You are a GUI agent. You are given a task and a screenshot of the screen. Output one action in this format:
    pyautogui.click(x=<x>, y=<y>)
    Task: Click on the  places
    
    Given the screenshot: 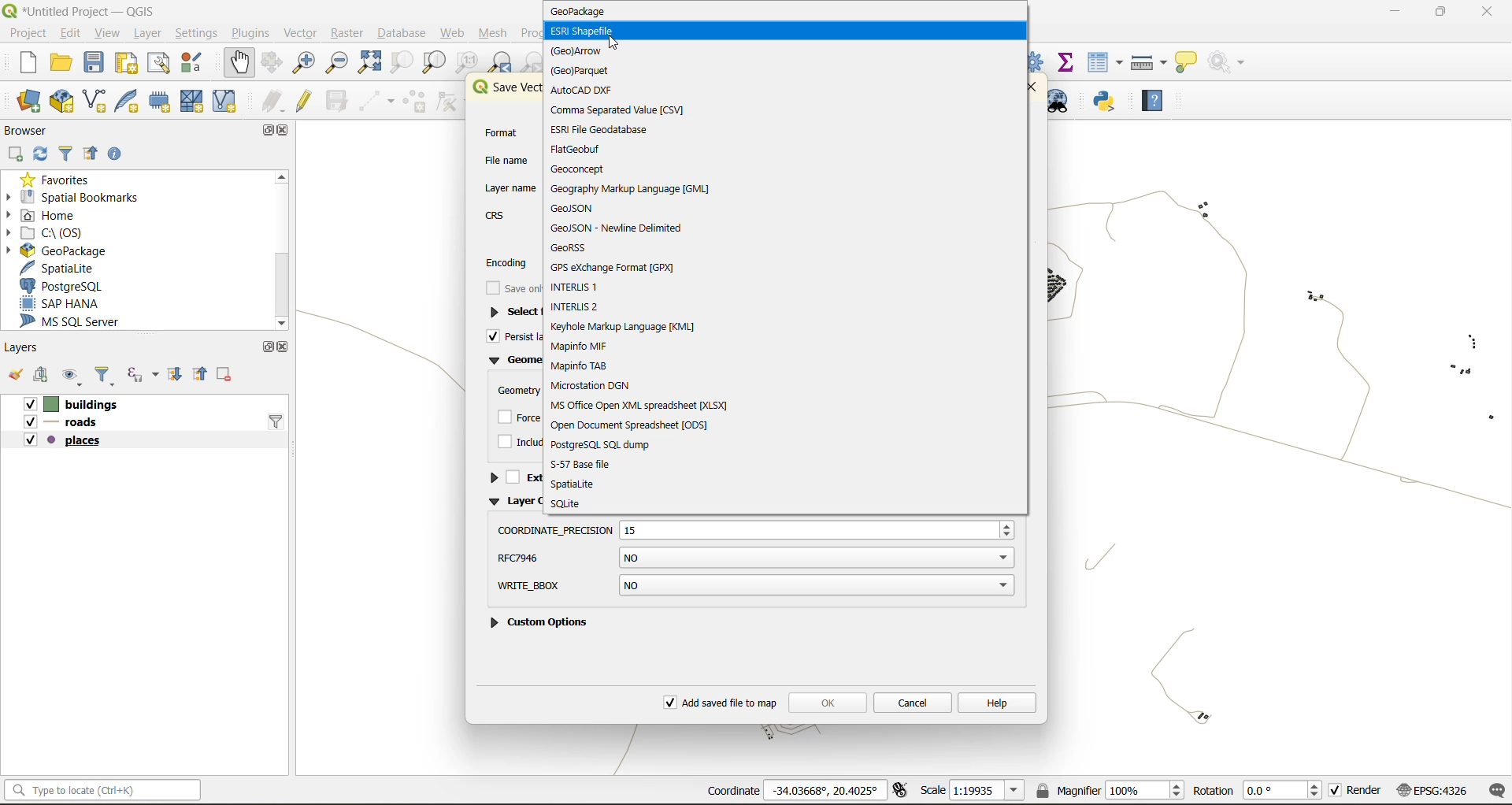 What is the action you would take?
    pyautogui.click(x=65, y=443)
    